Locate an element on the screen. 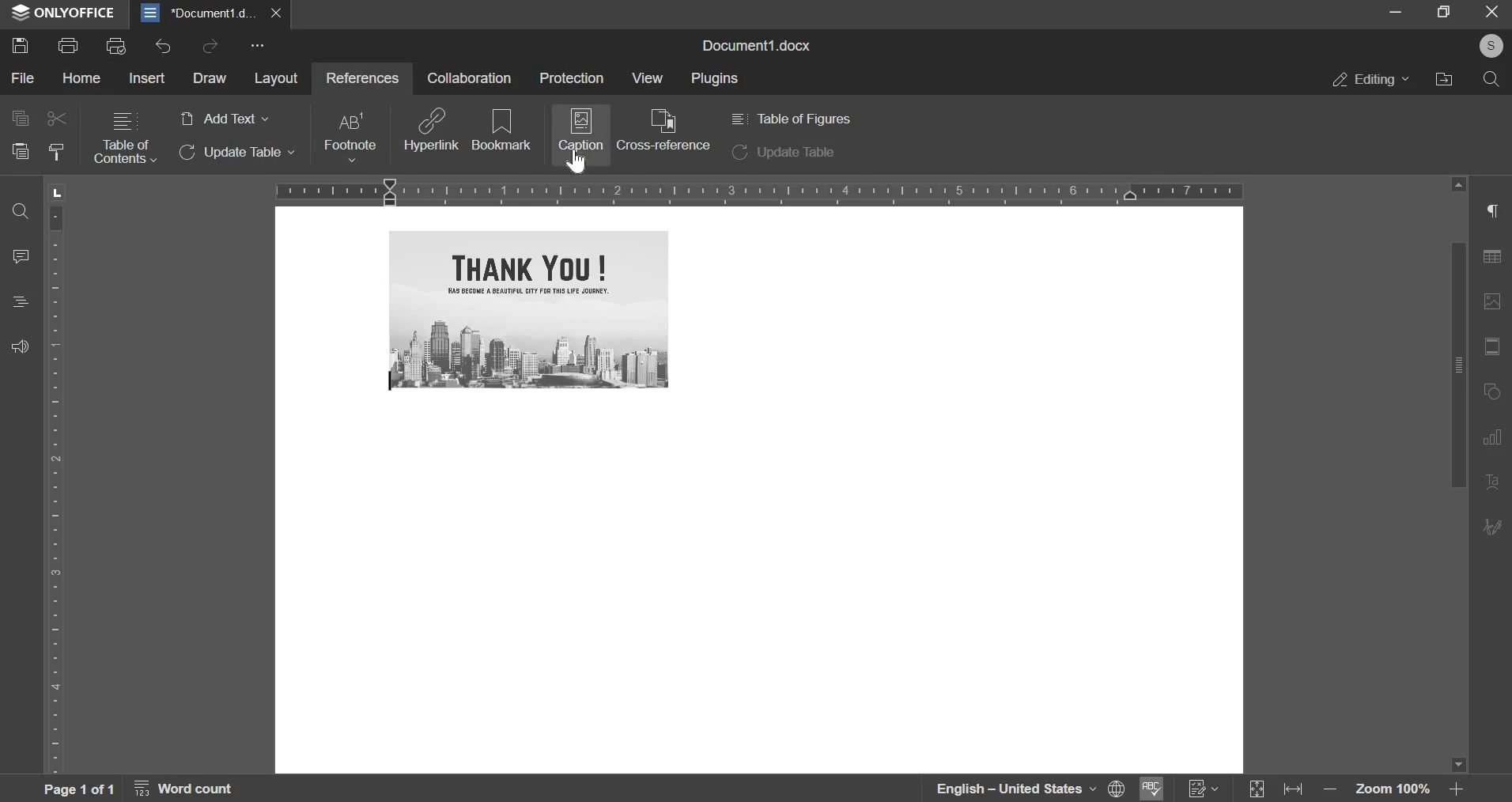 The width and height of the screenshot is (1512, 802). footnote is located at coordinates (349, 137).